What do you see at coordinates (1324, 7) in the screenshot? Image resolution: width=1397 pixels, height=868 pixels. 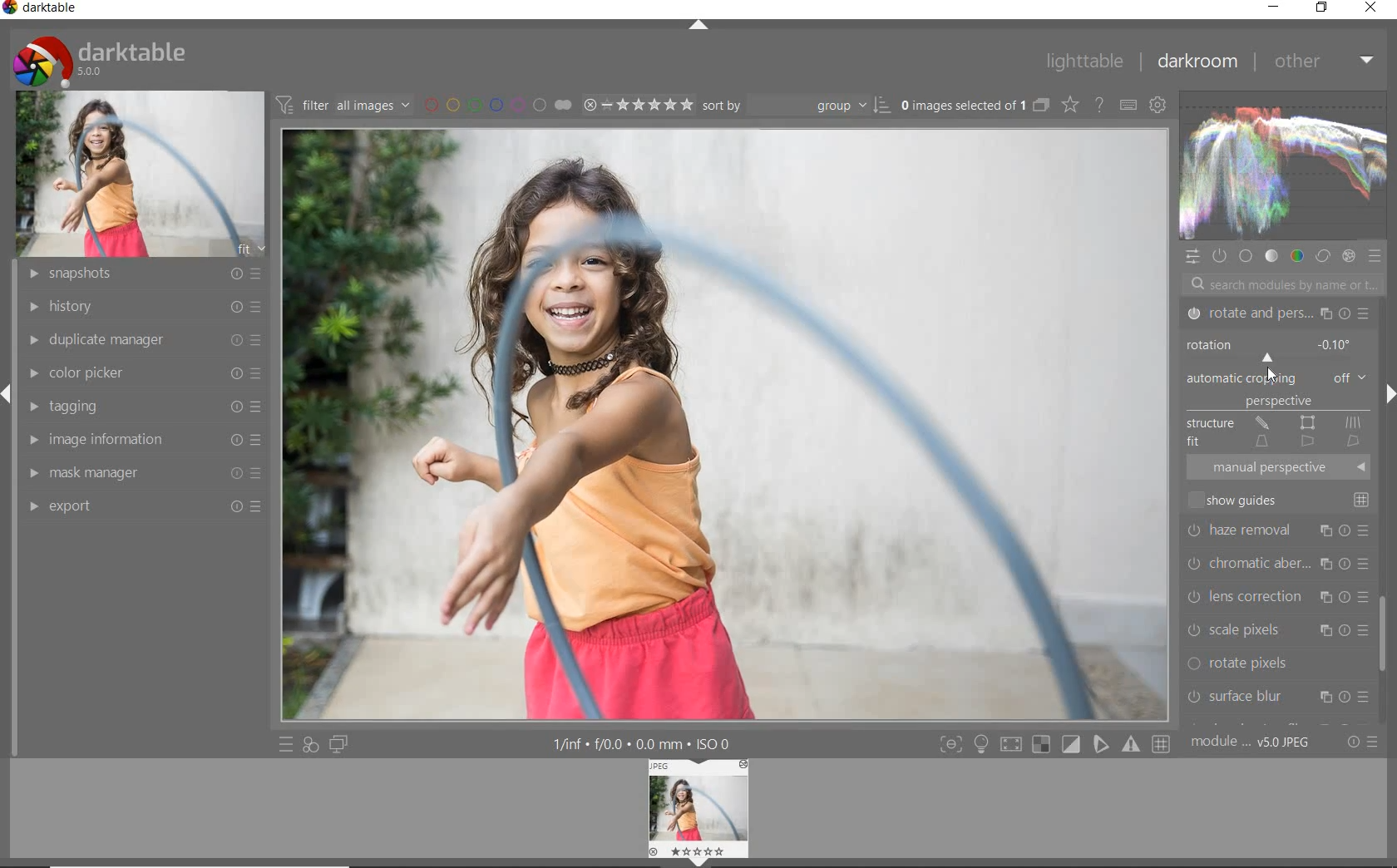 I see `restore` at bounding box center [1324, 7].